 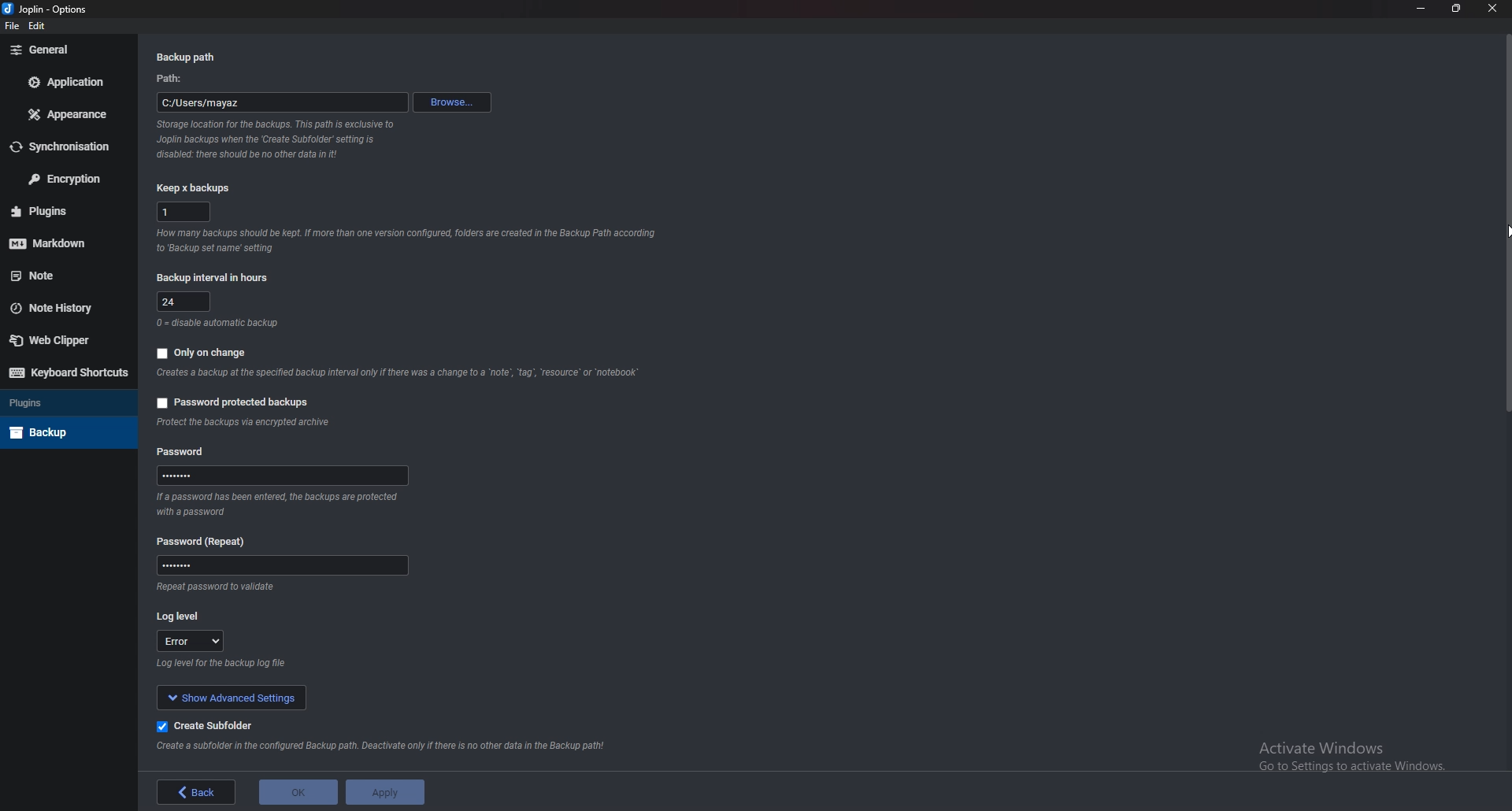 What do you see at coordinates (65, 275) in the screenshot?
I see `note` at bounding box center [65, 275].